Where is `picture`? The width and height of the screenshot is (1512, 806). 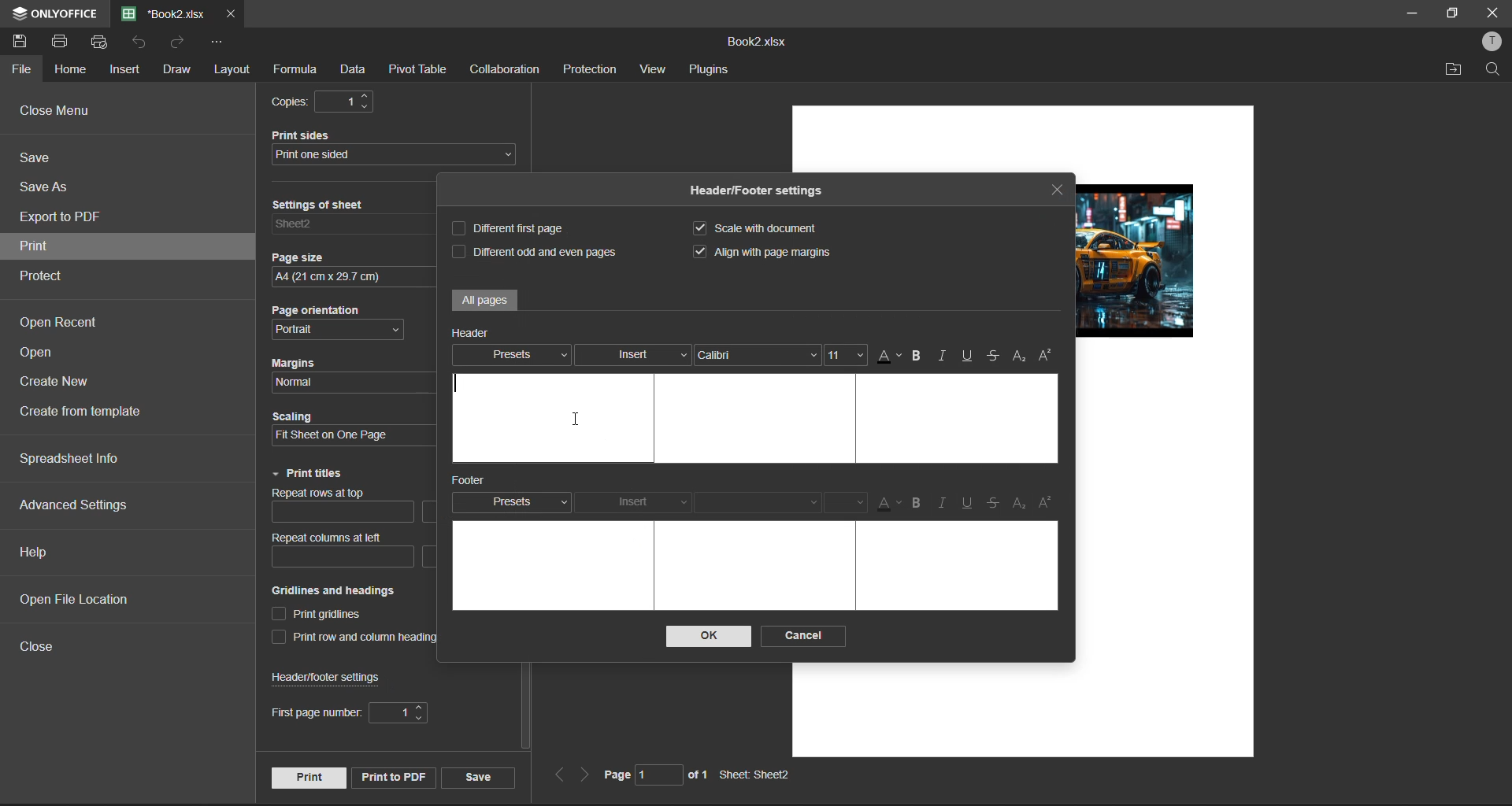 picture is located at coordinates (1142, 261).